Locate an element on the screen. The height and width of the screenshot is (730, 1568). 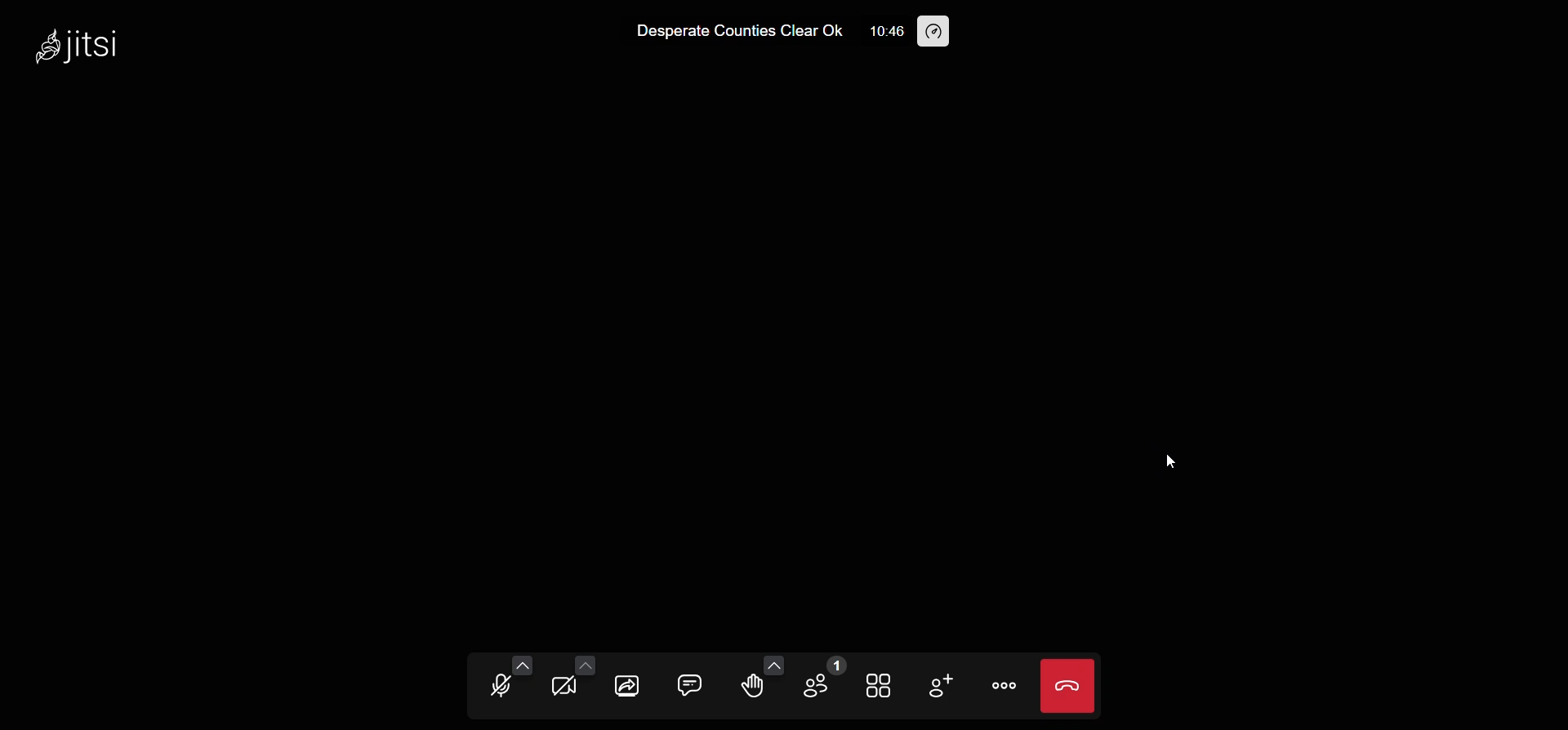
participant is located at coordinates (825, 681).